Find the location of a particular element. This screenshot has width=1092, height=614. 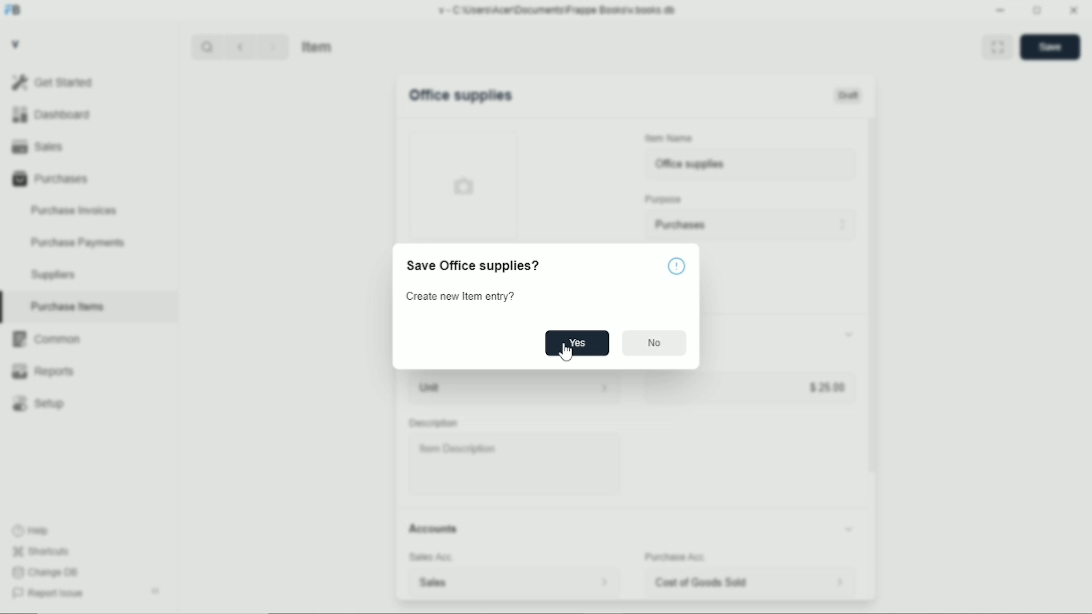

purchase invoices is located at coordinates (74, 211).